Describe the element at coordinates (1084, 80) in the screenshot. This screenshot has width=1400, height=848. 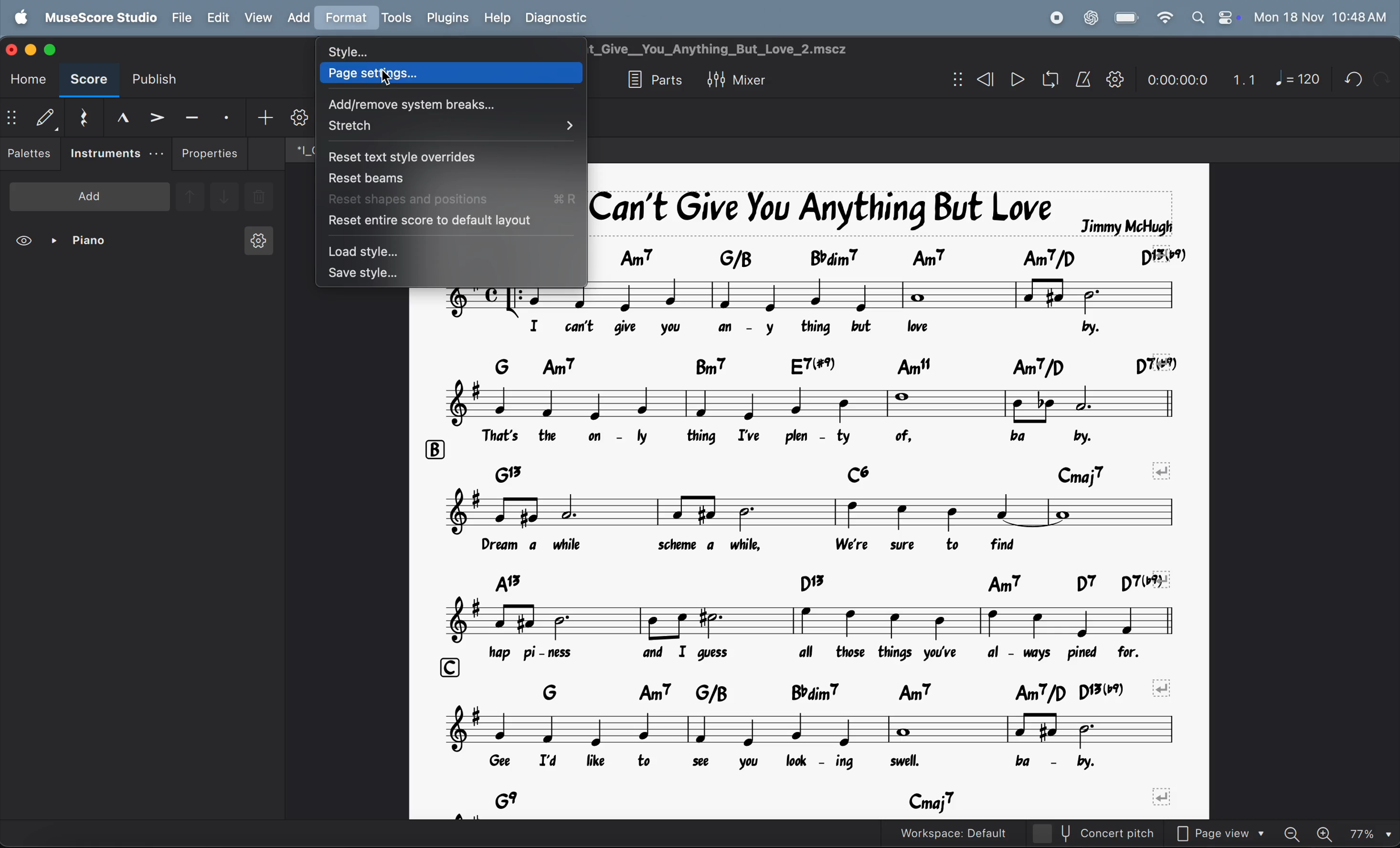
I see `metronome` at that location.